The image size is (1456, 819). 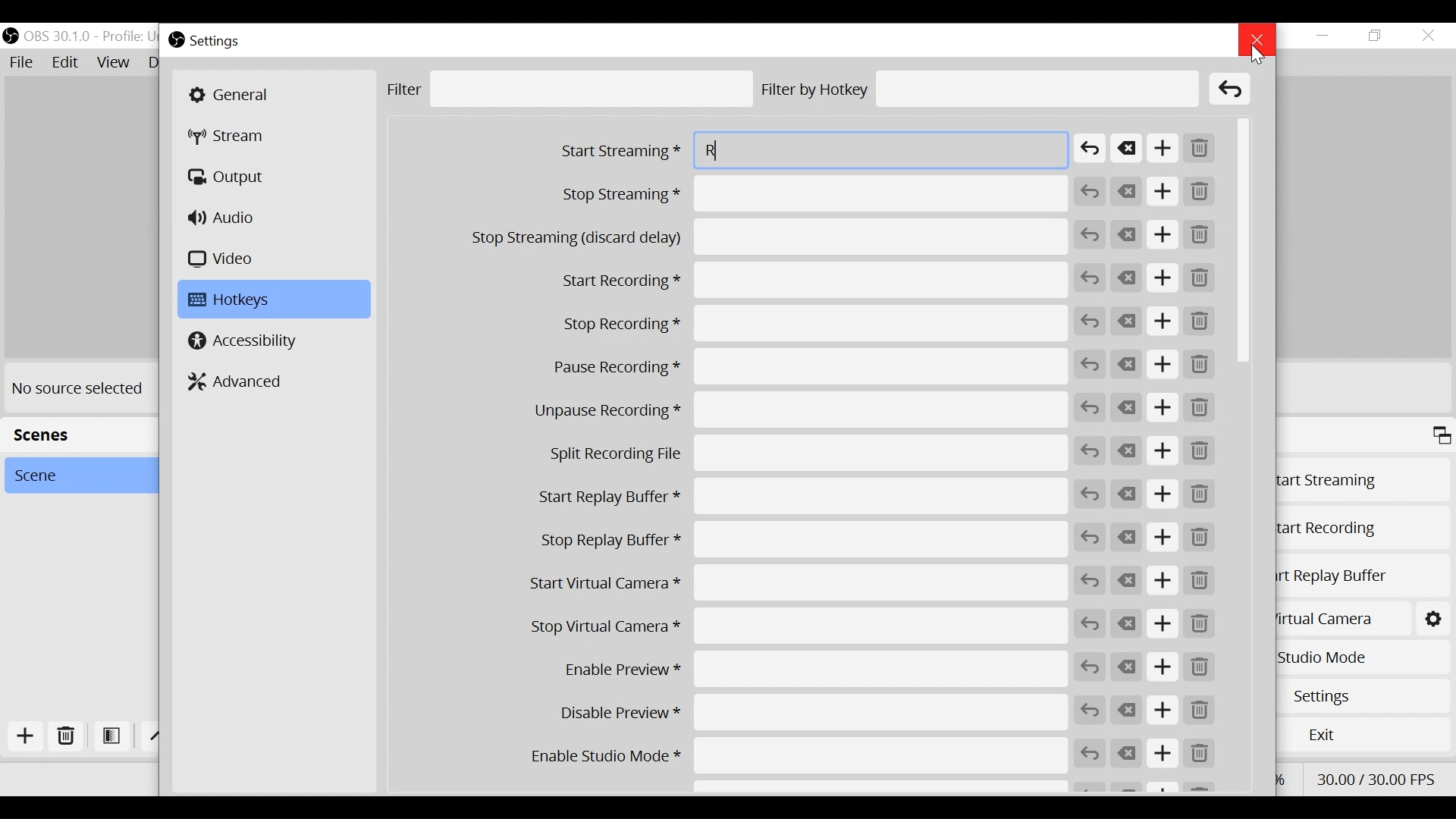 I want to click on Start Replay Buffer, so click(x=1360, y=576).